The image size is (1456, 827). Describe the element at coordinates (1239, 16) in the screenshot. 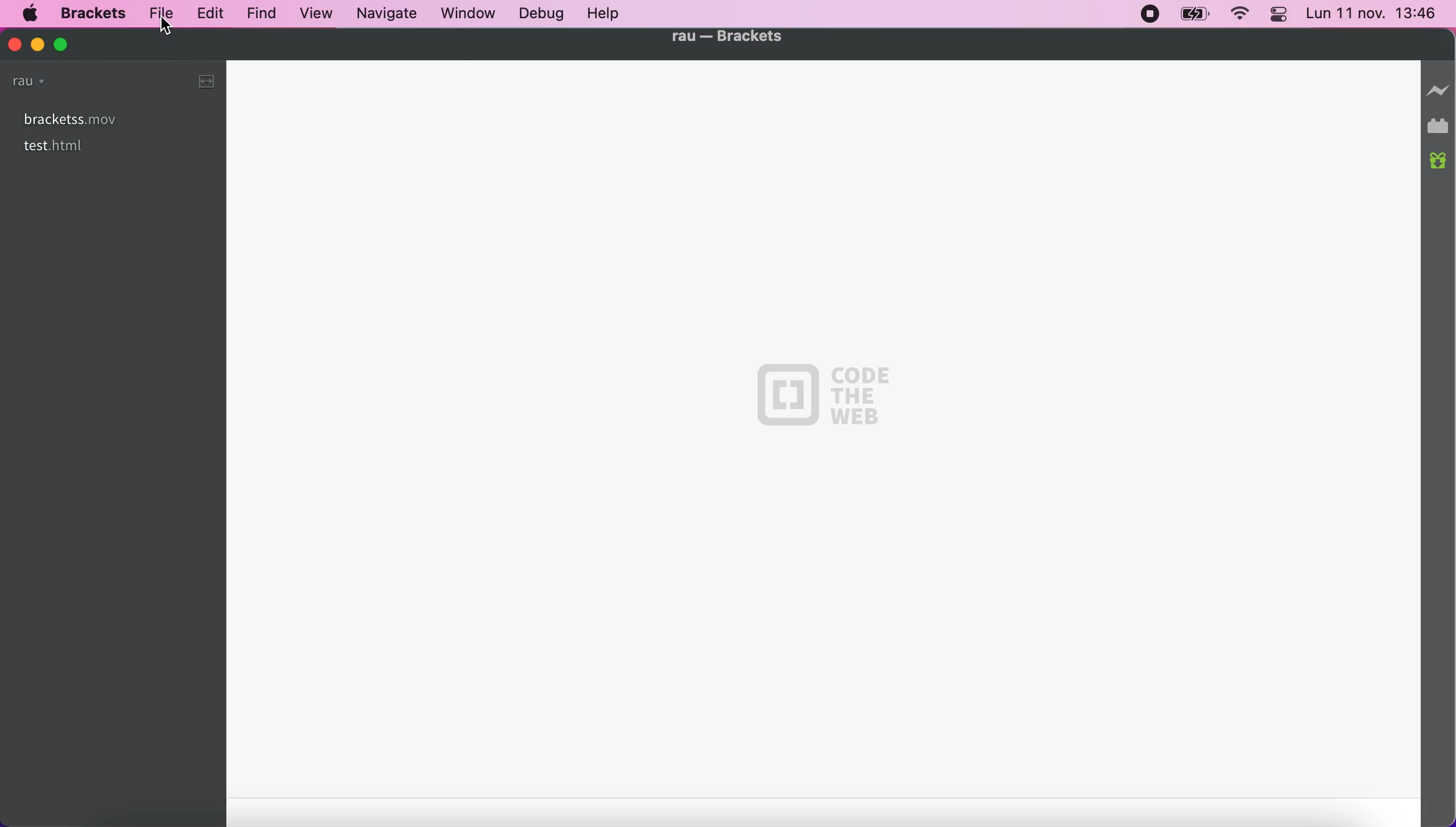

I see `wifi` at that location.